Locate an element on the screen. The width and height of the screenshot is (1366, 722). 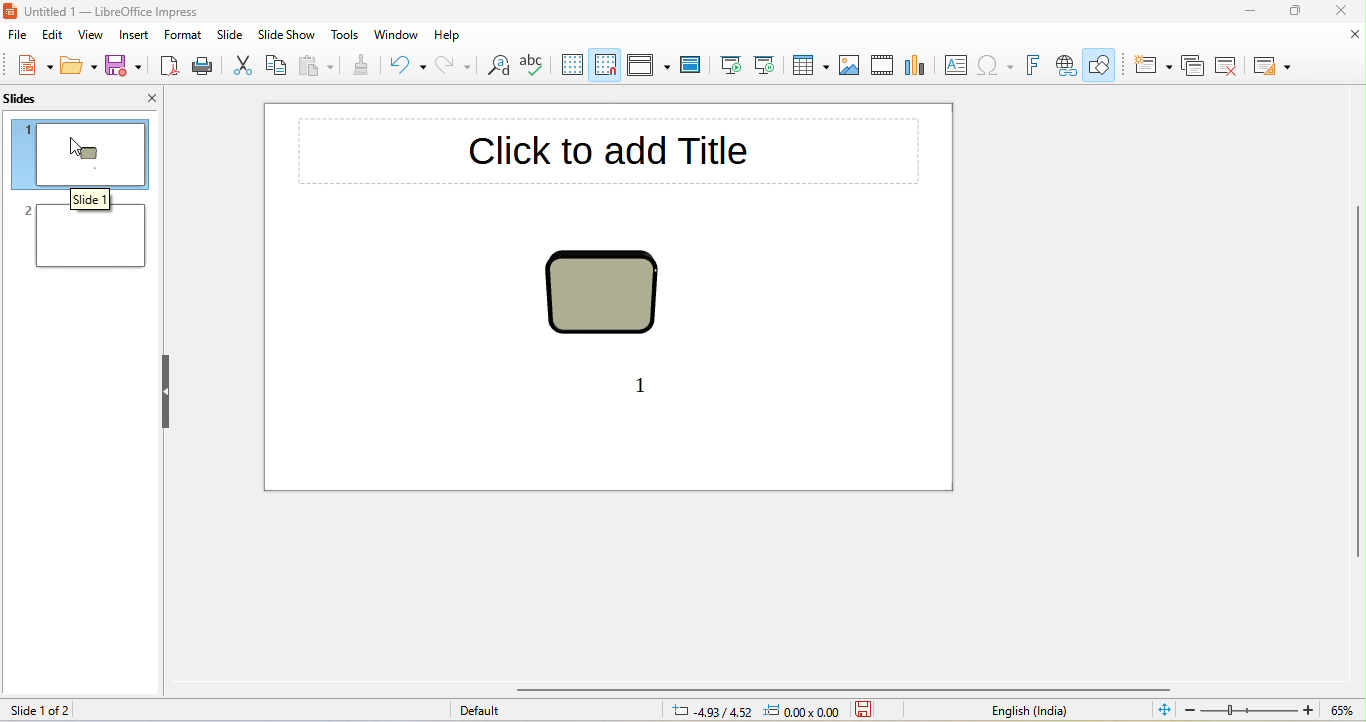
0.00 x0.00 is located at coordinates (805, 711).